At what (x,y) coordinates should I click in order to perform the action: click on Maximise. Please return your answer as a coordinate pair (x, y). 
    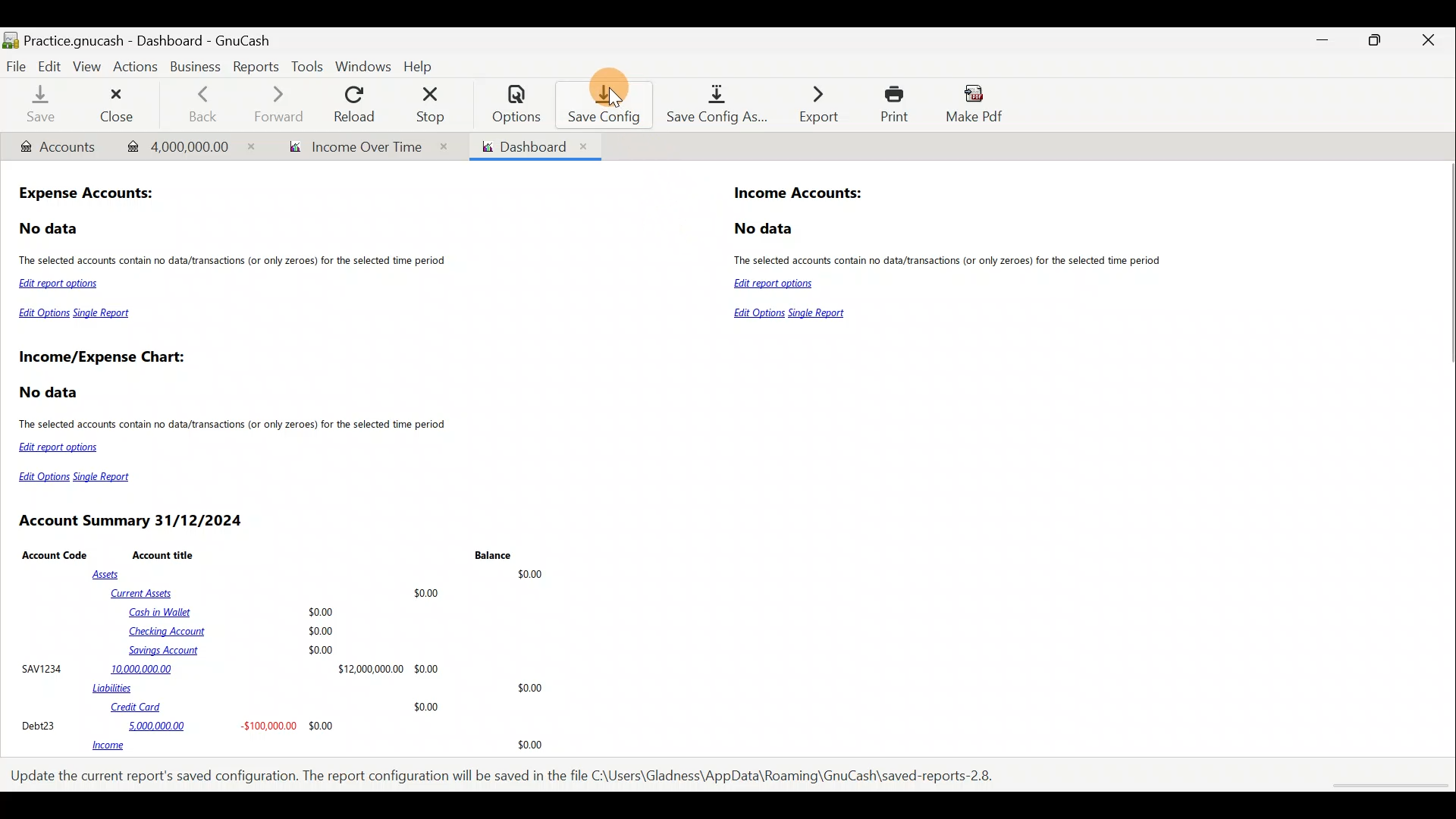
    Looking at the image, I should click on (1378, 45).